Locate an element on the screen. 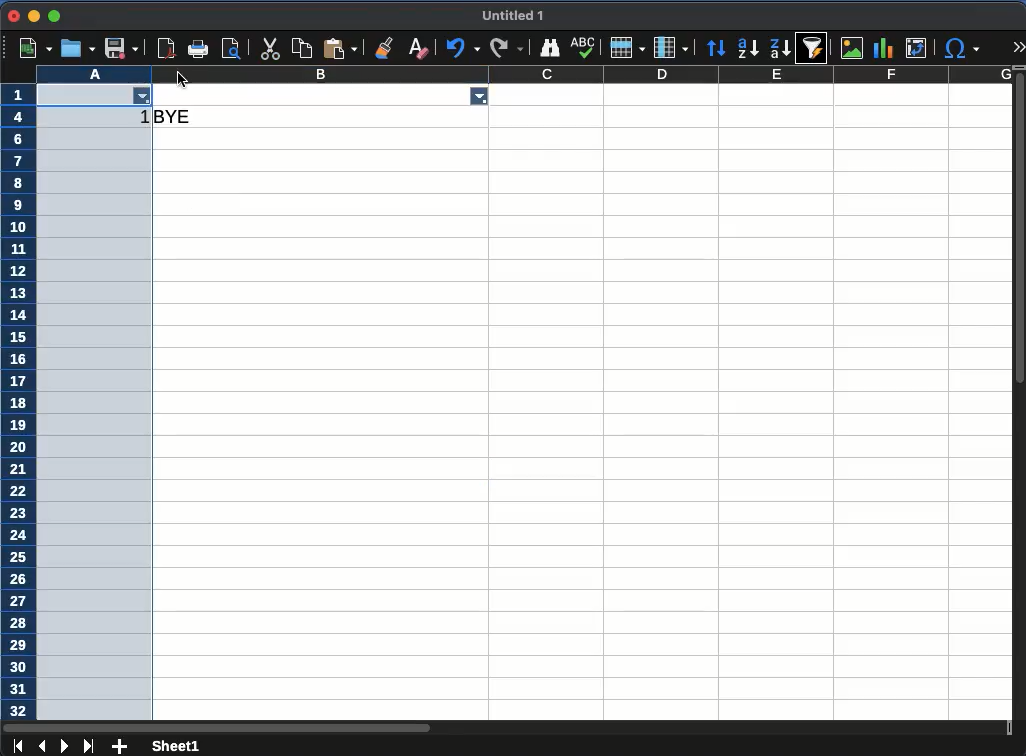  abc is located at coordinates (580, 47).